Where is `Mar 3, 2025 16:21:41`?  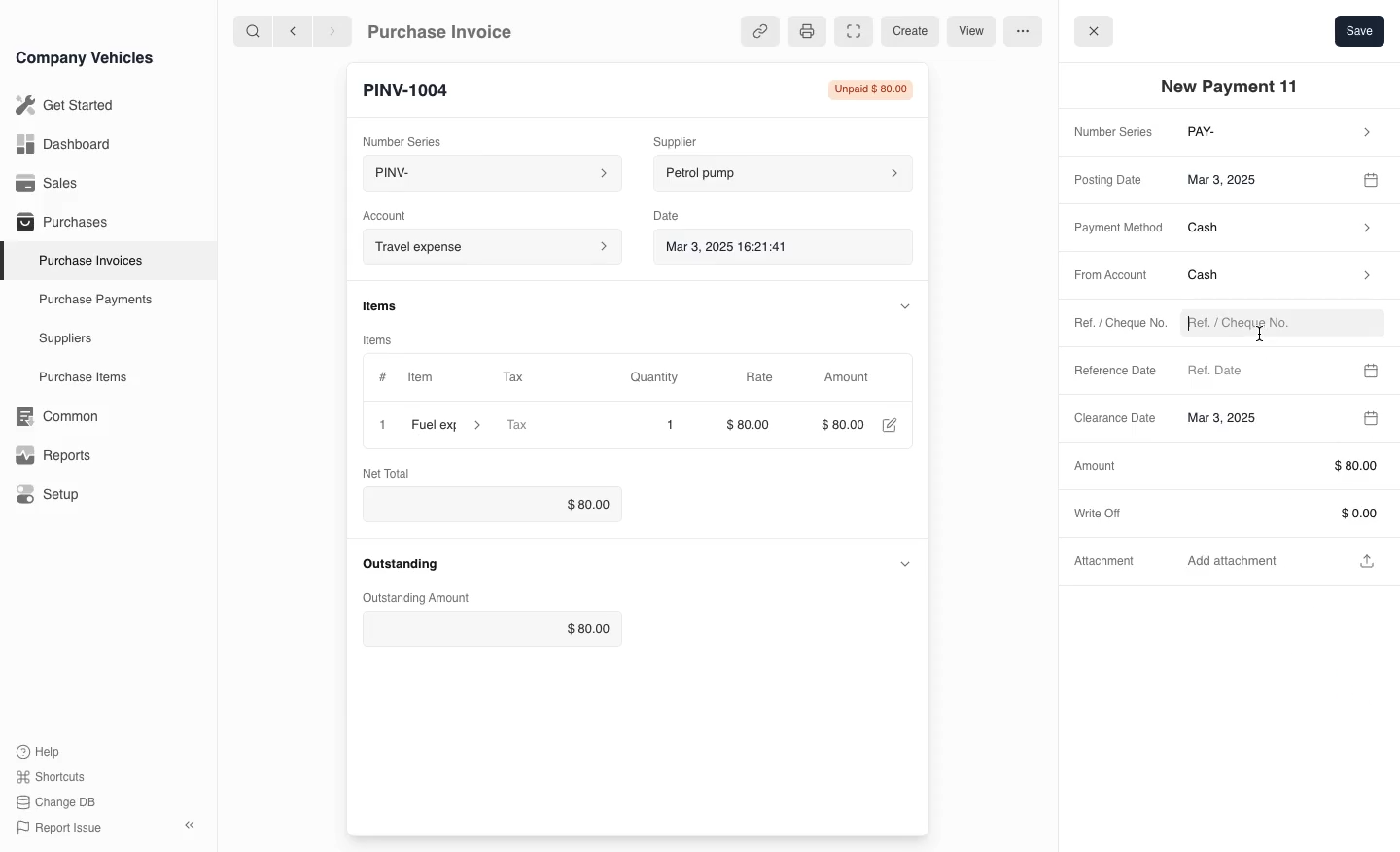 Mar 3, 2025 16:21:41 is located at coordinates (766, 245).